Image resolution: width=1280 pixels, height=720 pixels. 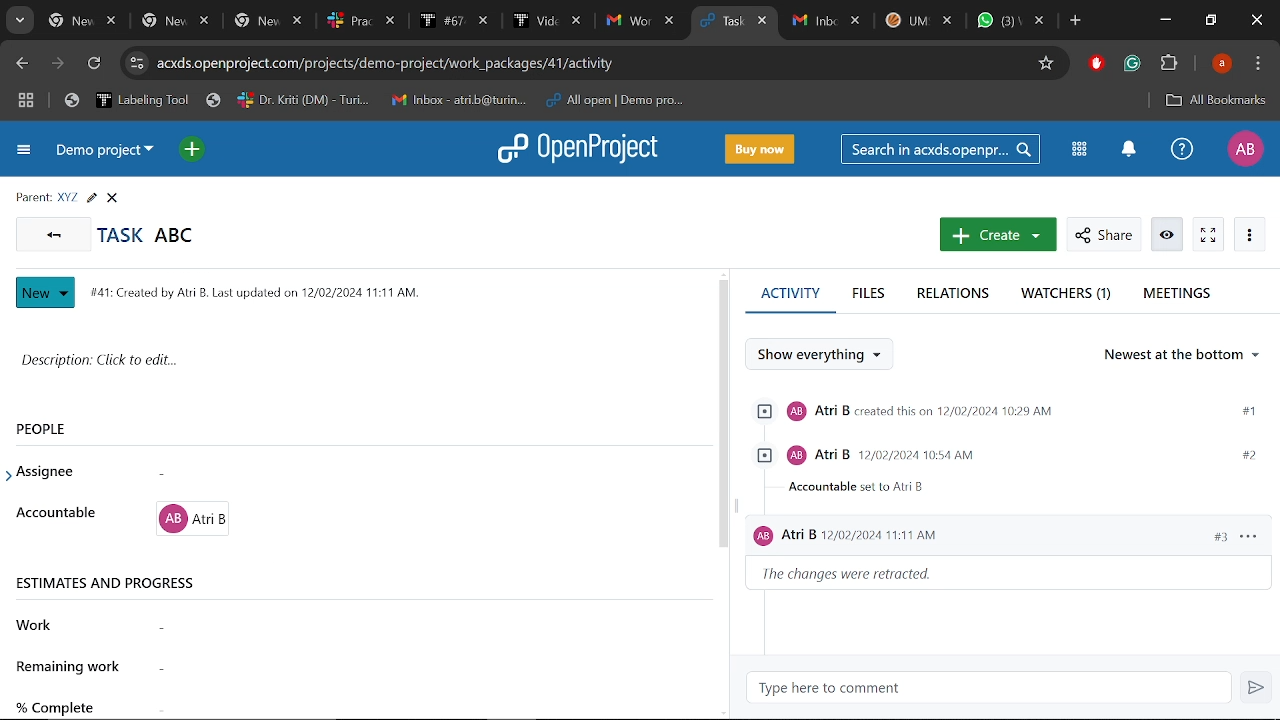 I want to click on Current tab, so click(x=722, y=23).